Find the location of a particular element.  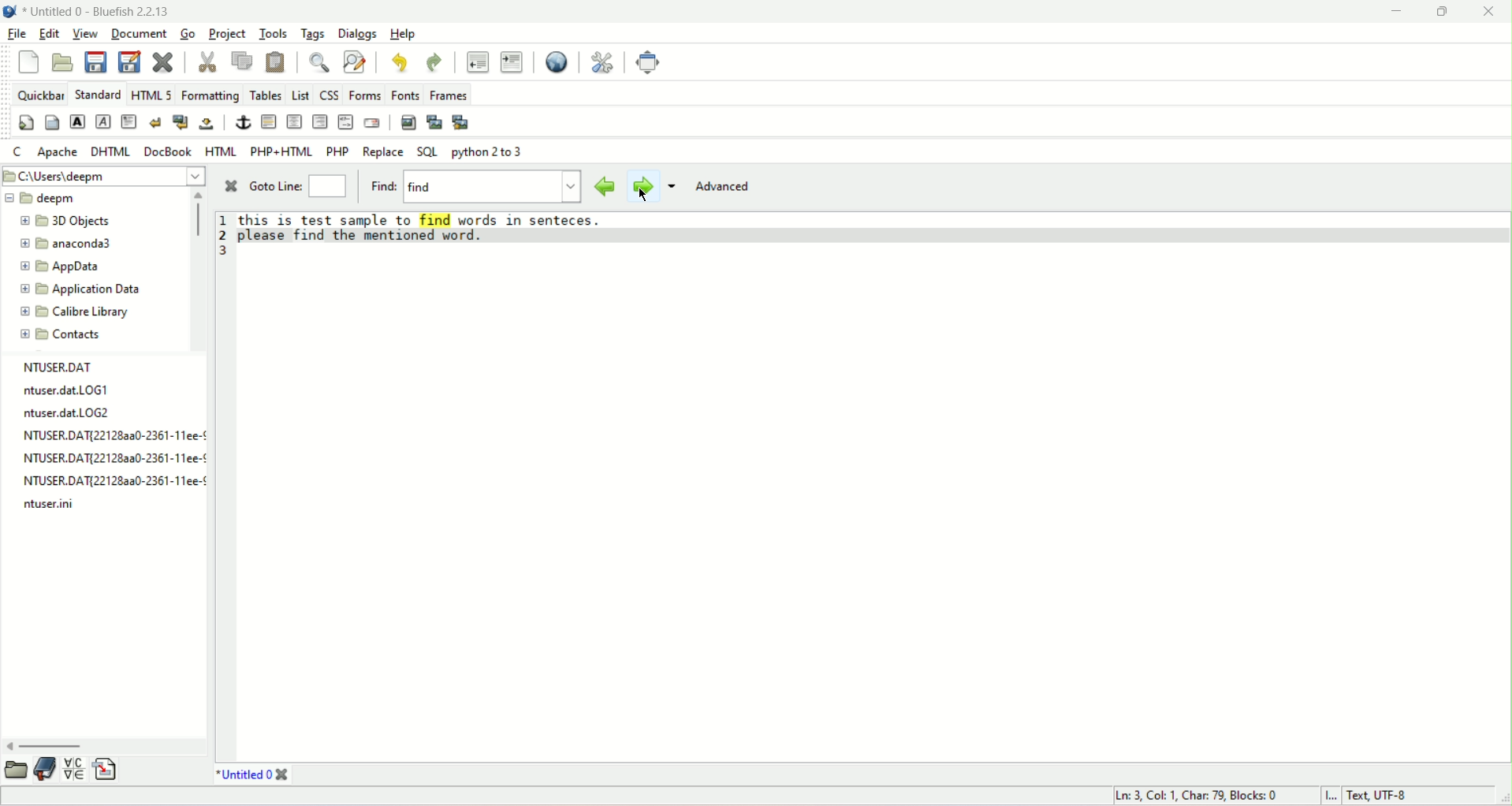

forms is located at coordinates (363, 95).